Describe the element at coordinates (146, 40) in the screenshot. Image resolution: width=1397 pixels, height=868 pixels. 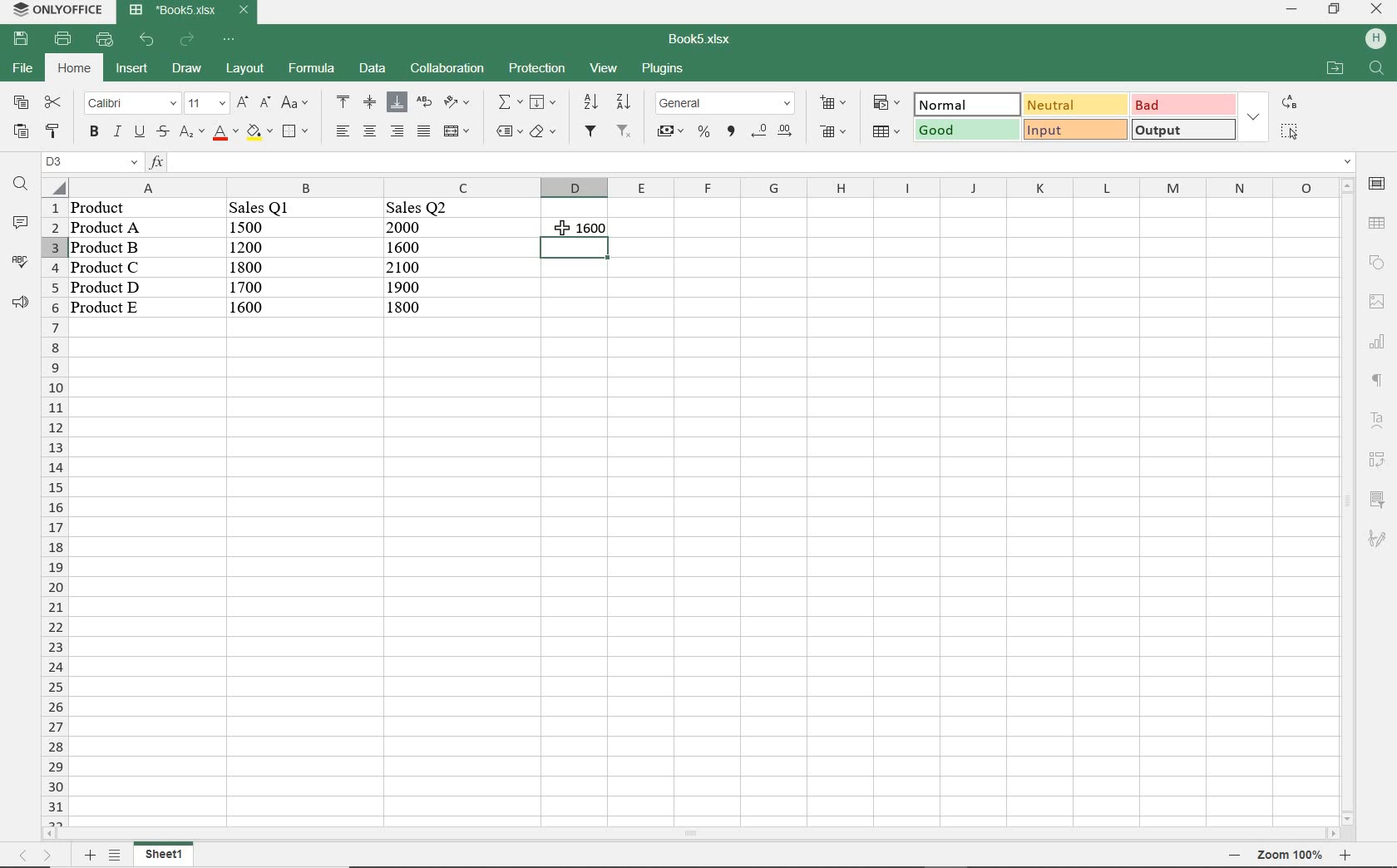
I see `undo` at that location.